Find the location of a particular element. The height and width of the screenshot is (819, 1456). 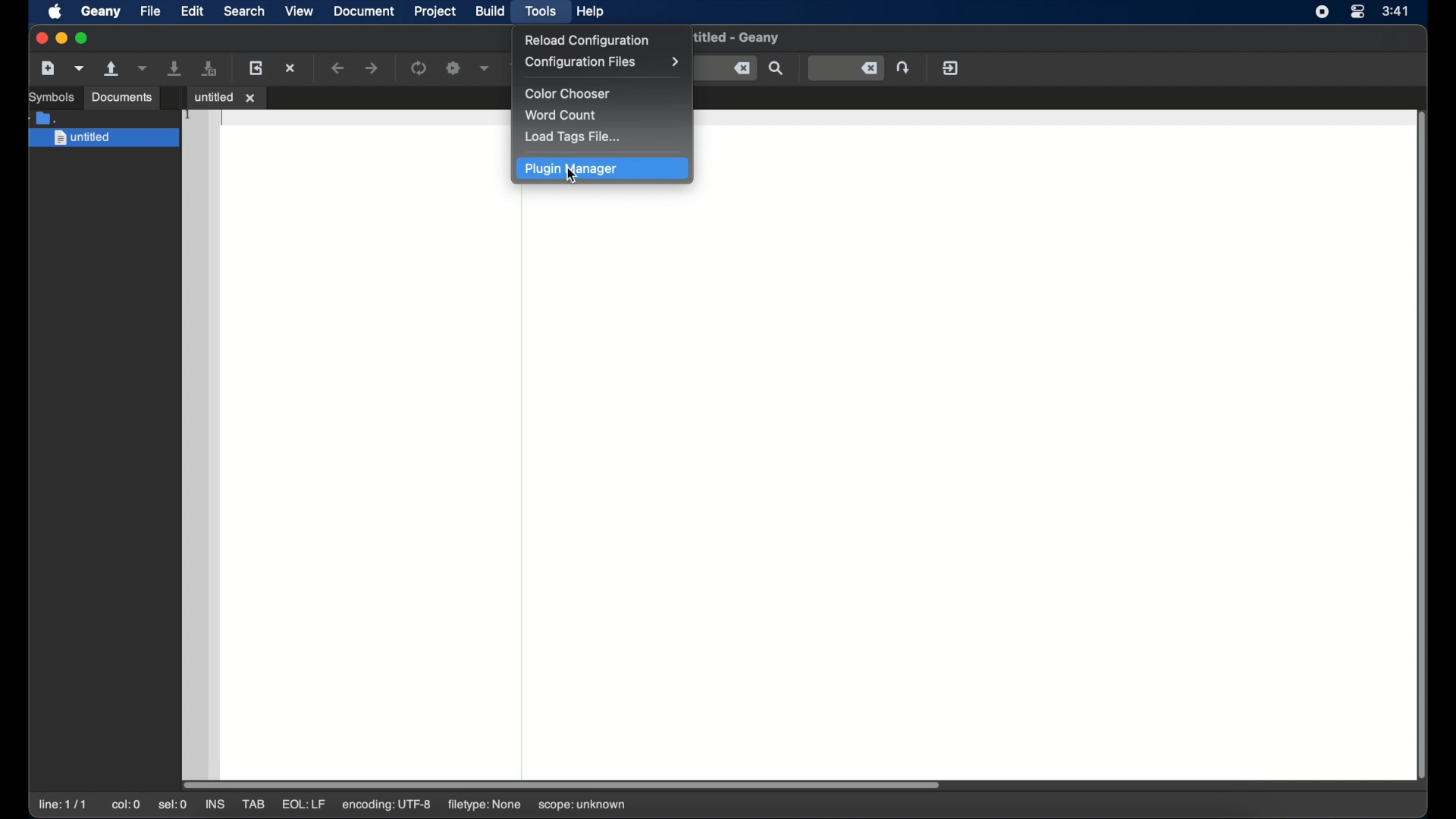

encoding: utf-8 is located at coordinates (387, 805).